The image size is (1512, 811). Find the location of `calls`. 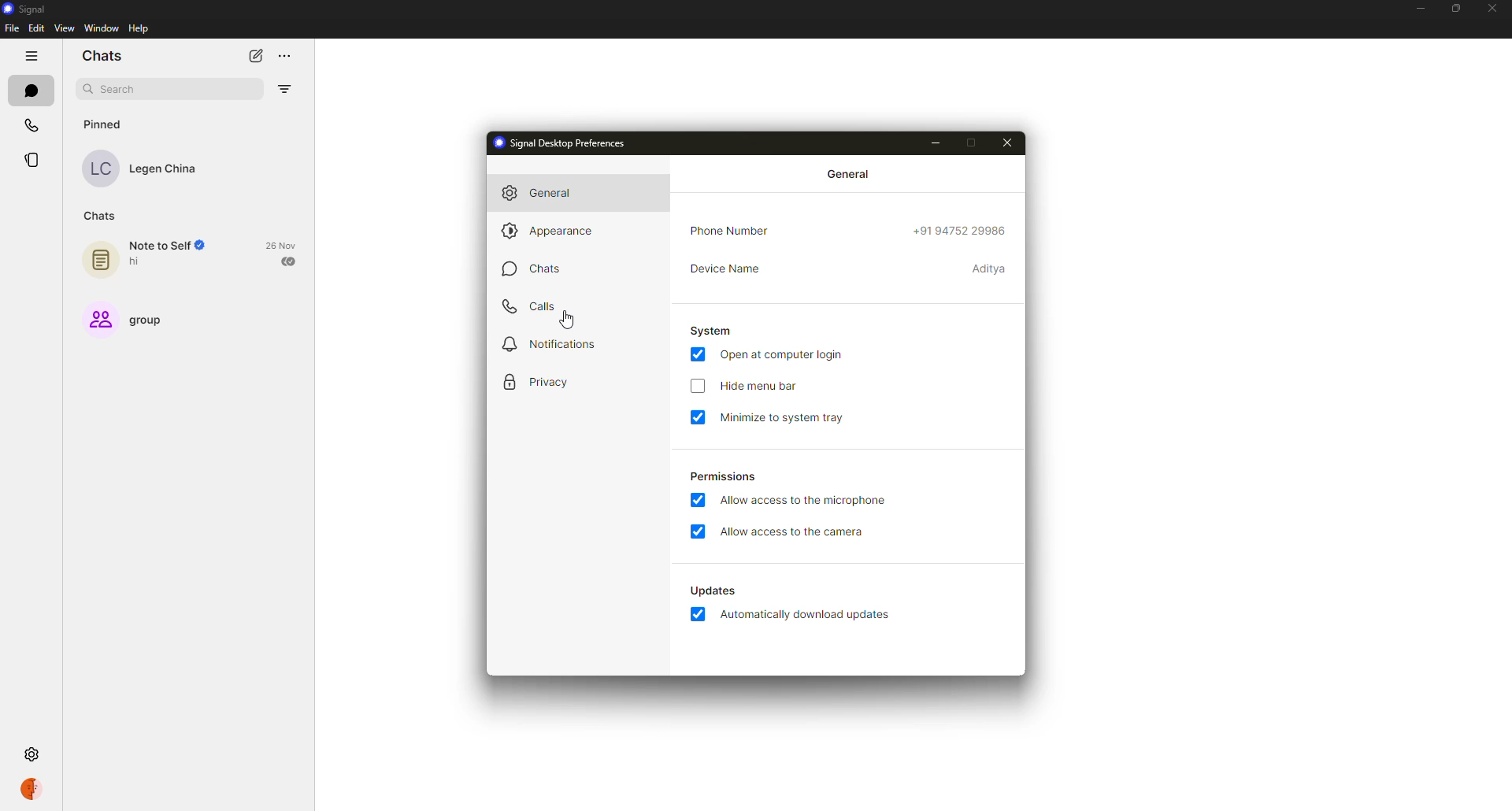

calls is located at coordinates (528, 306).